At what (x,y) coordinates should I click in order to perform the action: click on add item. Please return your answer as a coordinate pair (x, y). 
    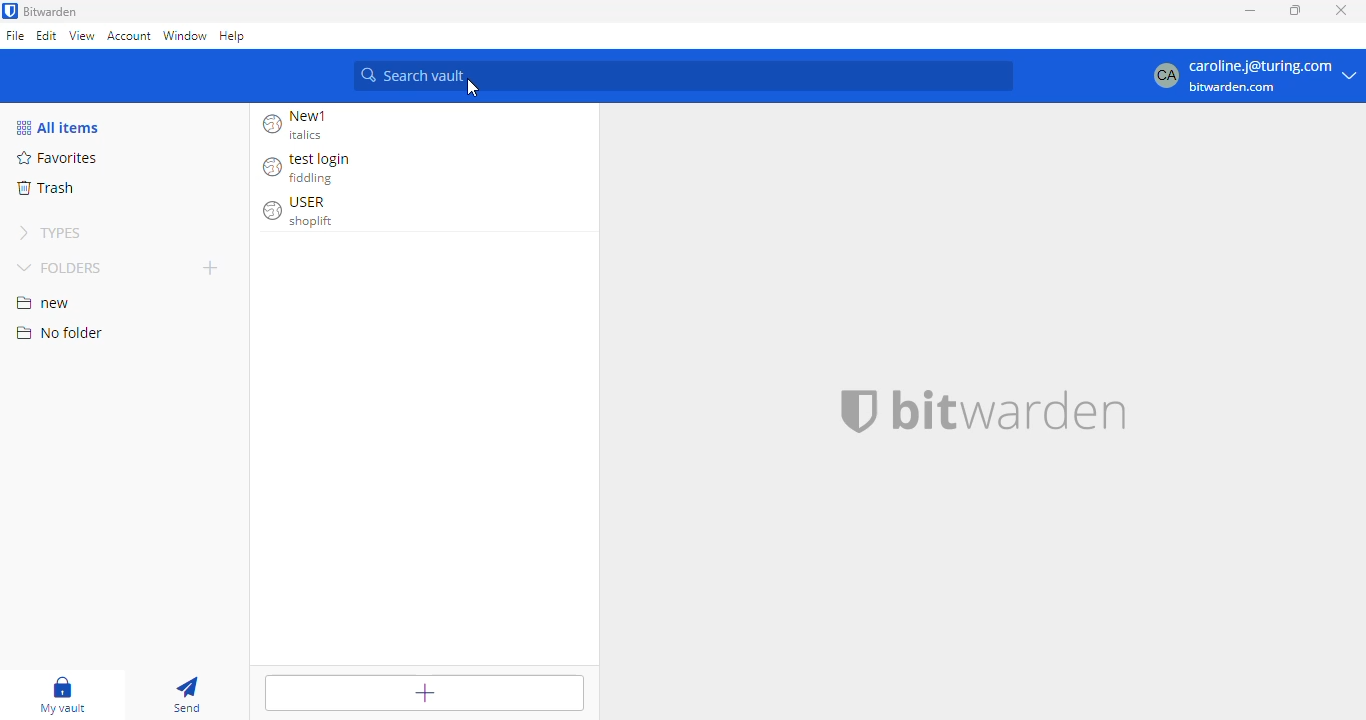
    Looking at the image, I should click on (425, 691).